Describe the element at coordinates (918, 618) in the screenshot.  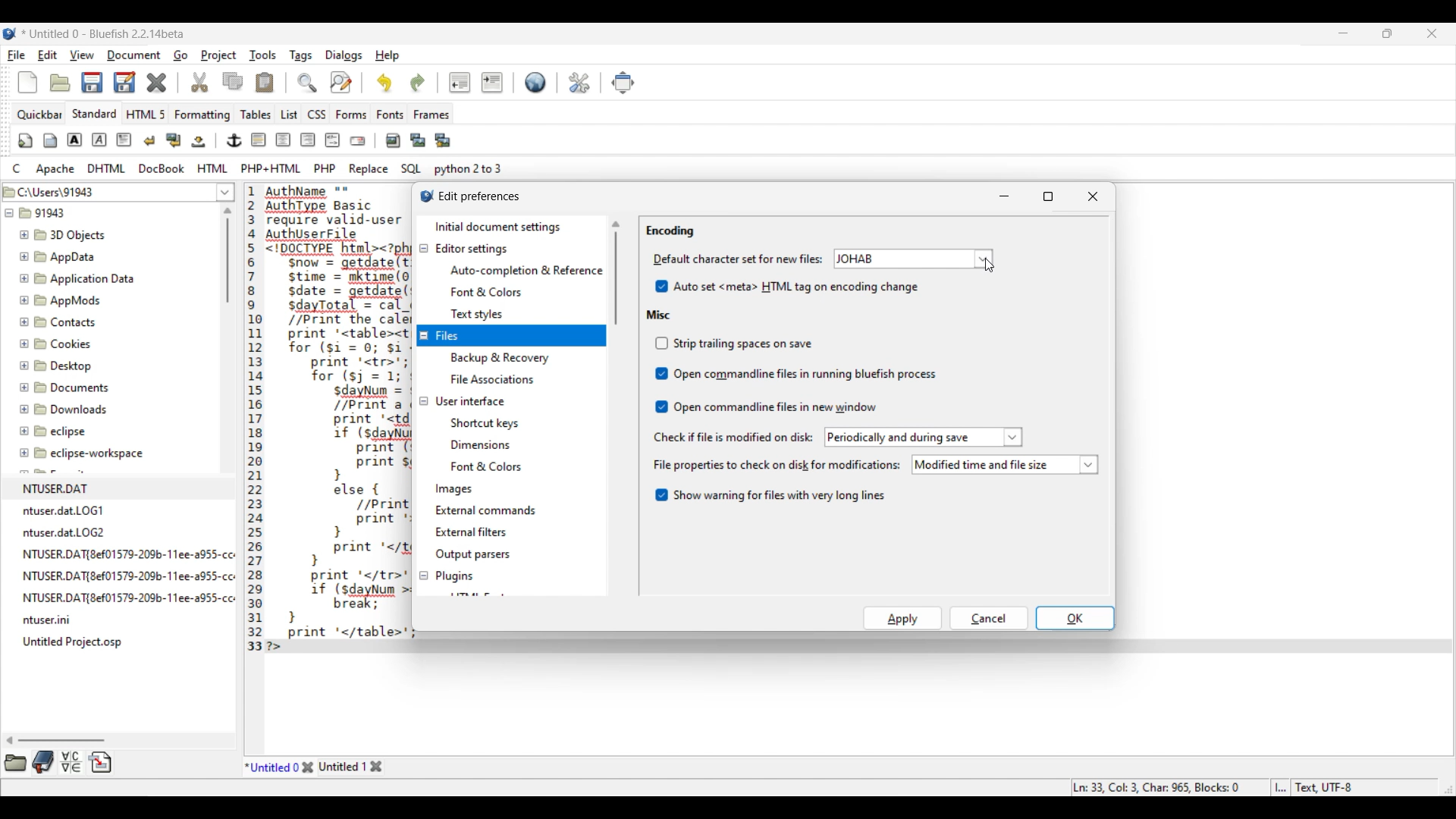
I see `Cancel` at that location.